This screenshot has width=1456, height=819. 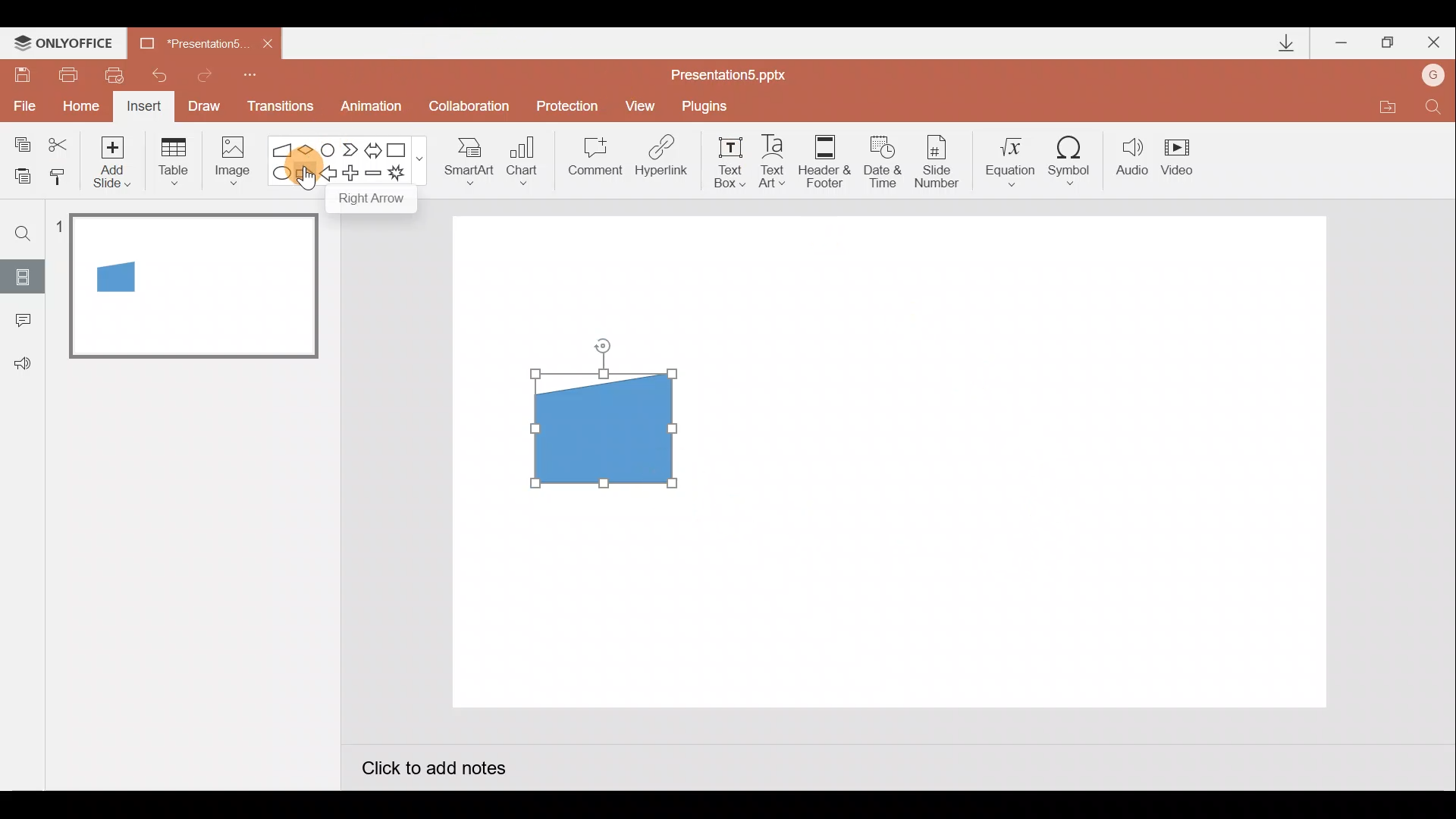 I want to click on Click to add notes, so click(x=432, y=770).